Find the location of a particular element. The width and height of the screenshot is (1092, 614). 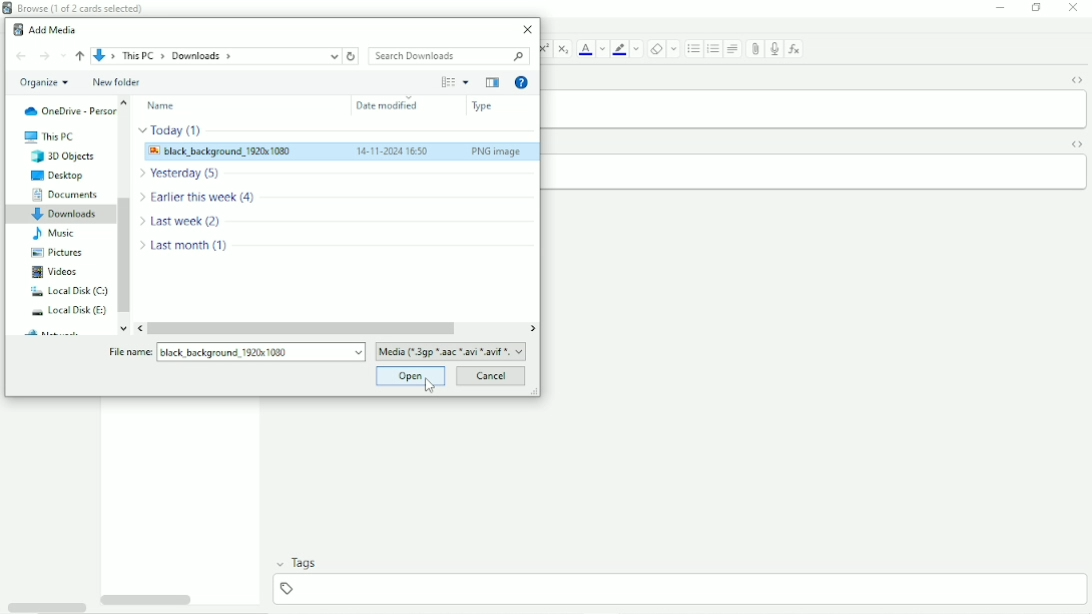

Documents is located at coordinates (65, 195).